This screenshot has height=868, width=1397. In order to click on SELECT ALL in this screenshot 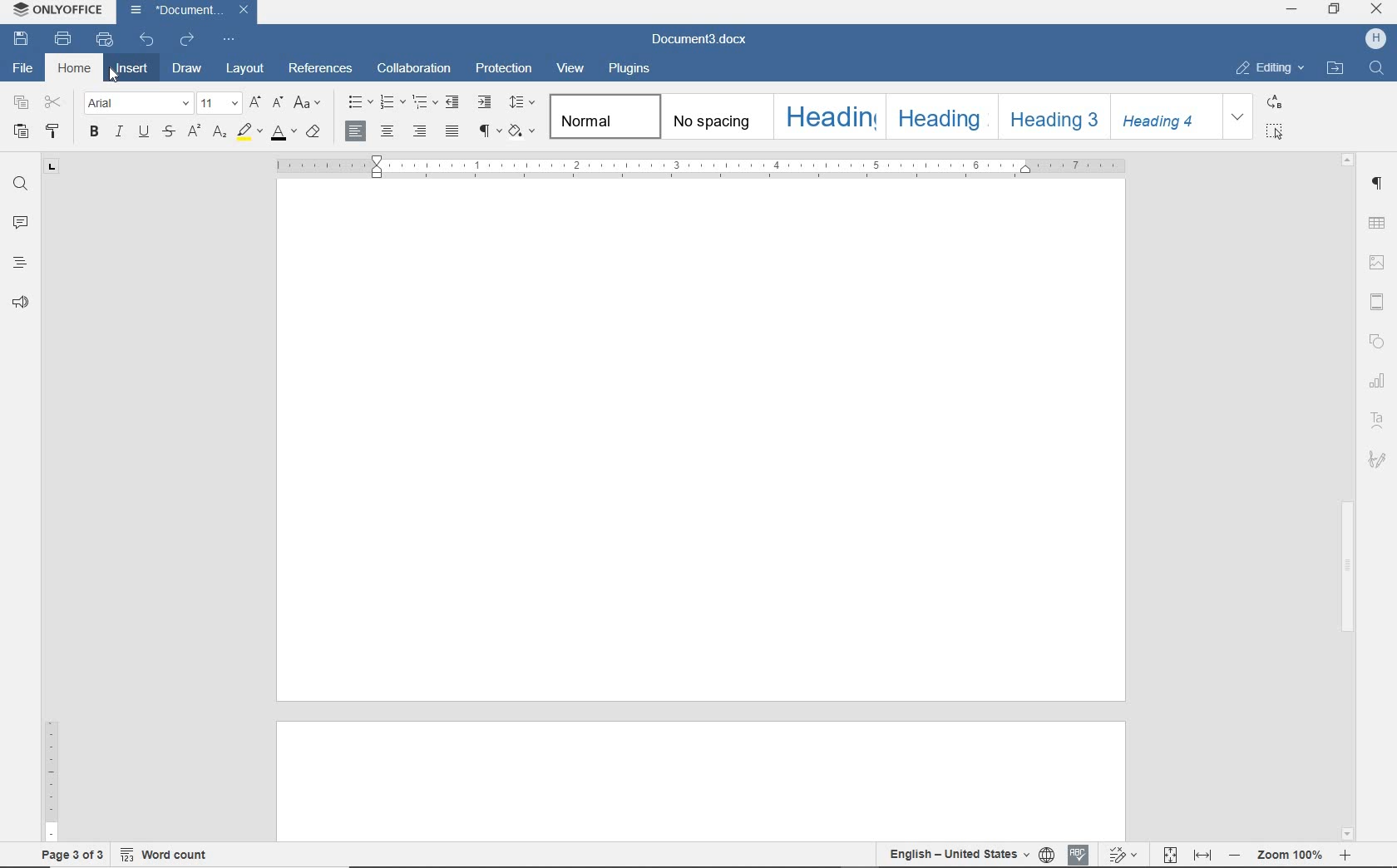, I will do `click(1281, 132)`.